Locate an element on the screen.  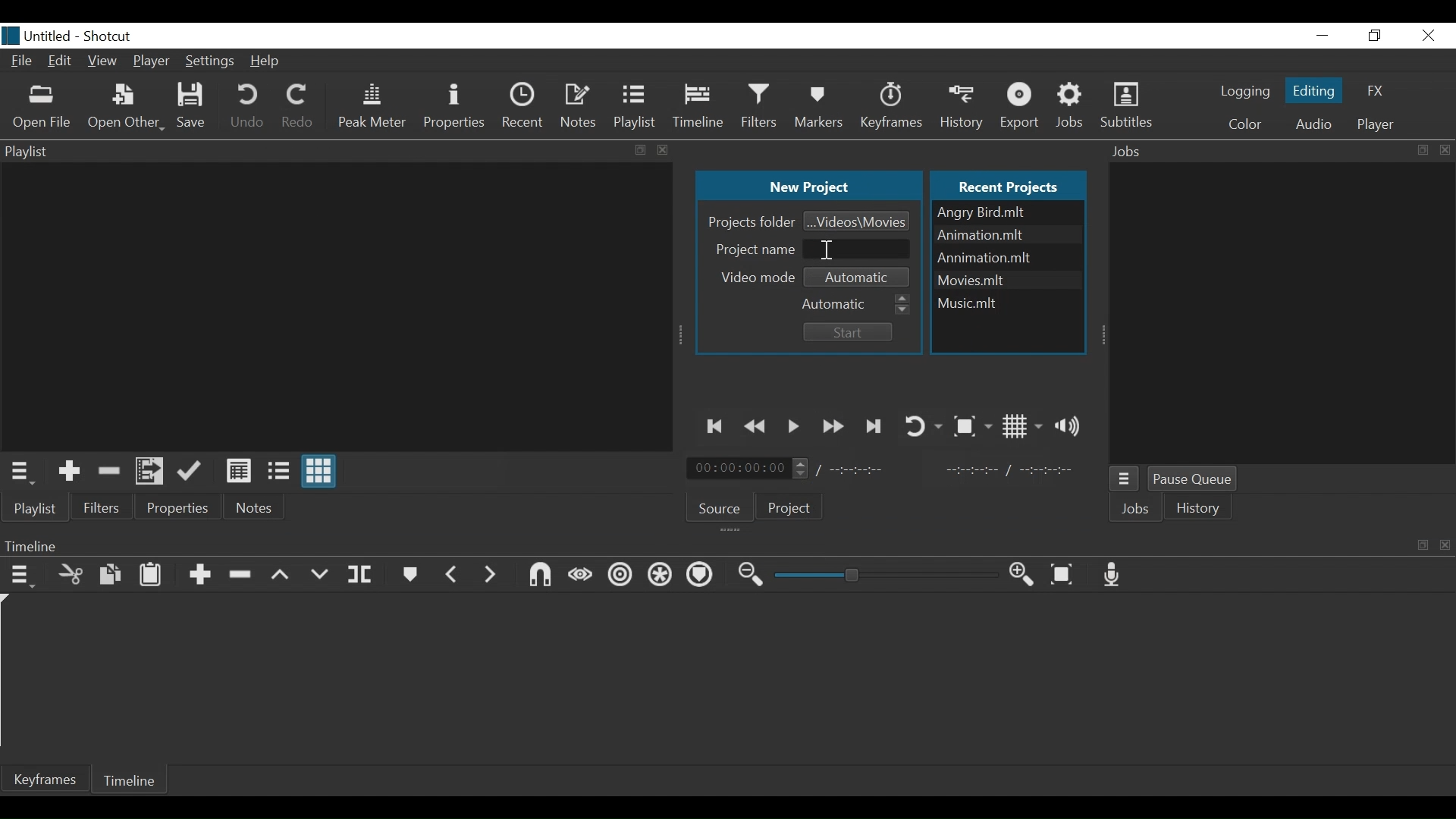
Toggle display grid on player is located at coordinates (1022, 426).